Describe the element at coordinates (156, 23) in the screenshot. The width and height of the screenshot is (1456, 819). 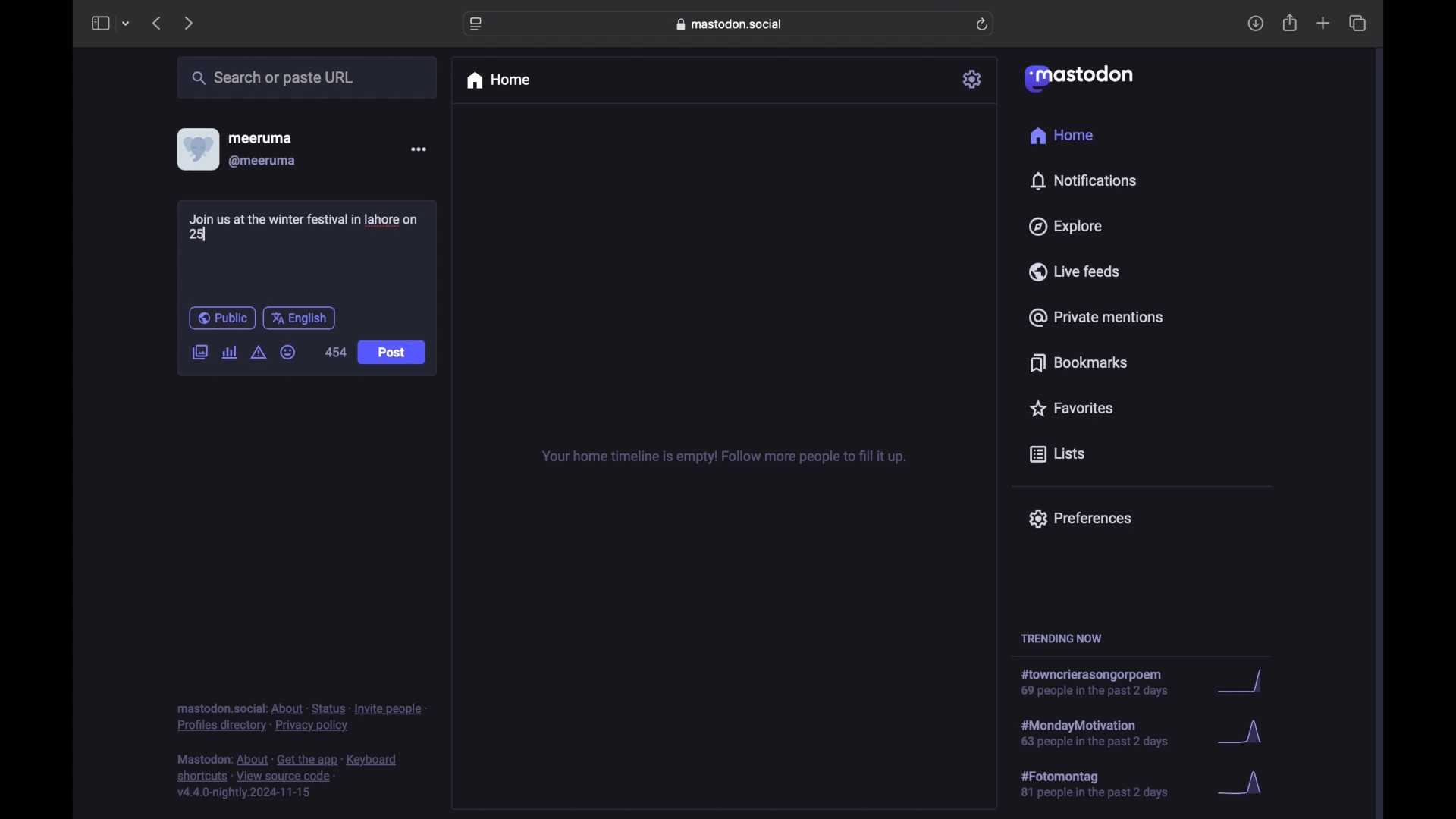
I see `previous` at that location.